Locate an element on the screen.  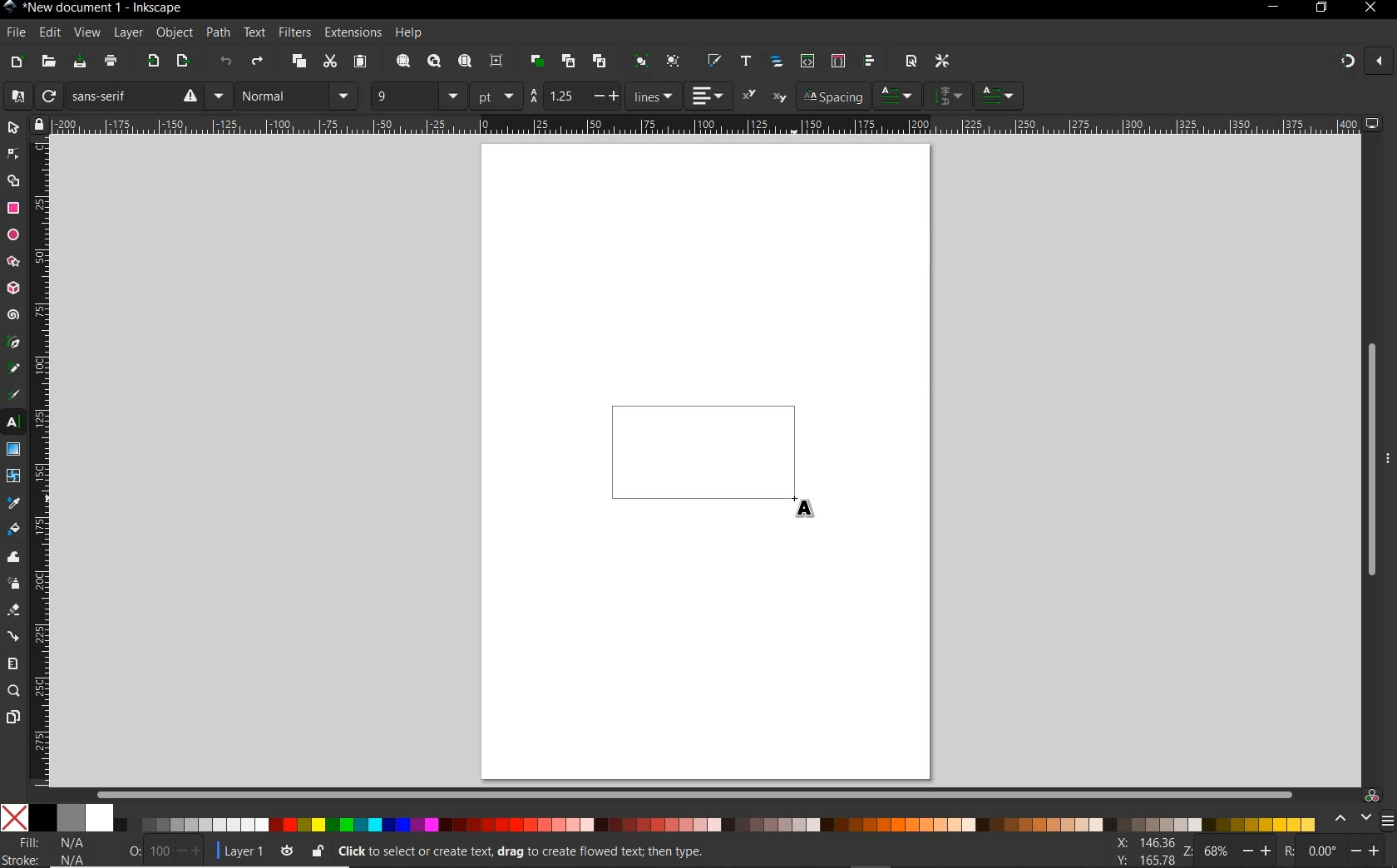
Mesh Tool is located at coordinates (14, 476).